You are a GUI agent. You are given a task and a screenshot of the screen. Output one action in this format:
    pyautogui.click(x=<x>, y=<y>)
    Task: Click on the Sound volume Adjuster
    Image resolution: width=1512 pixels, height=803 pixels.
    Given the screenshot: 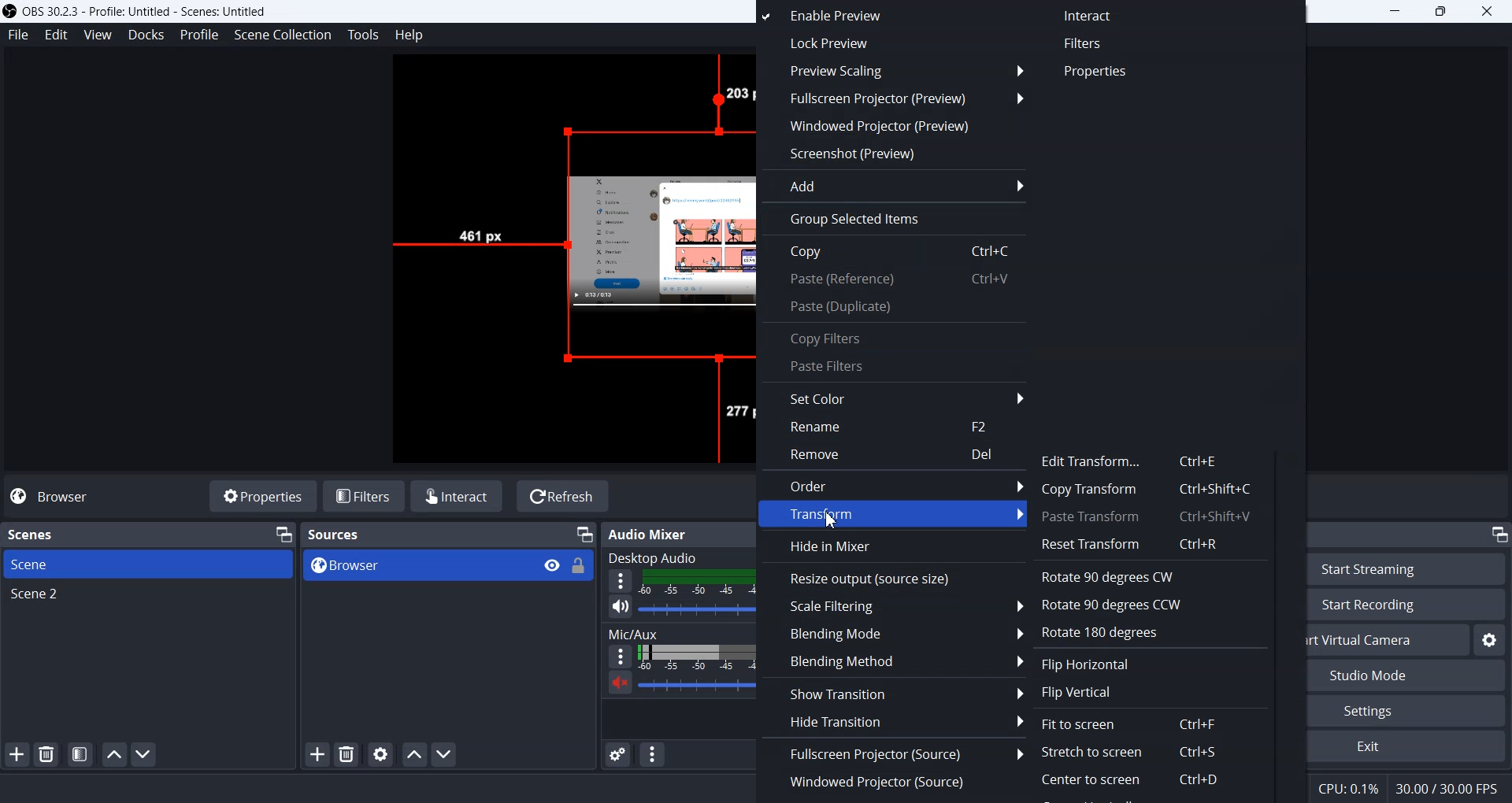 What is the action you would take?
    pyautogui.click(x=696, y=609)
    